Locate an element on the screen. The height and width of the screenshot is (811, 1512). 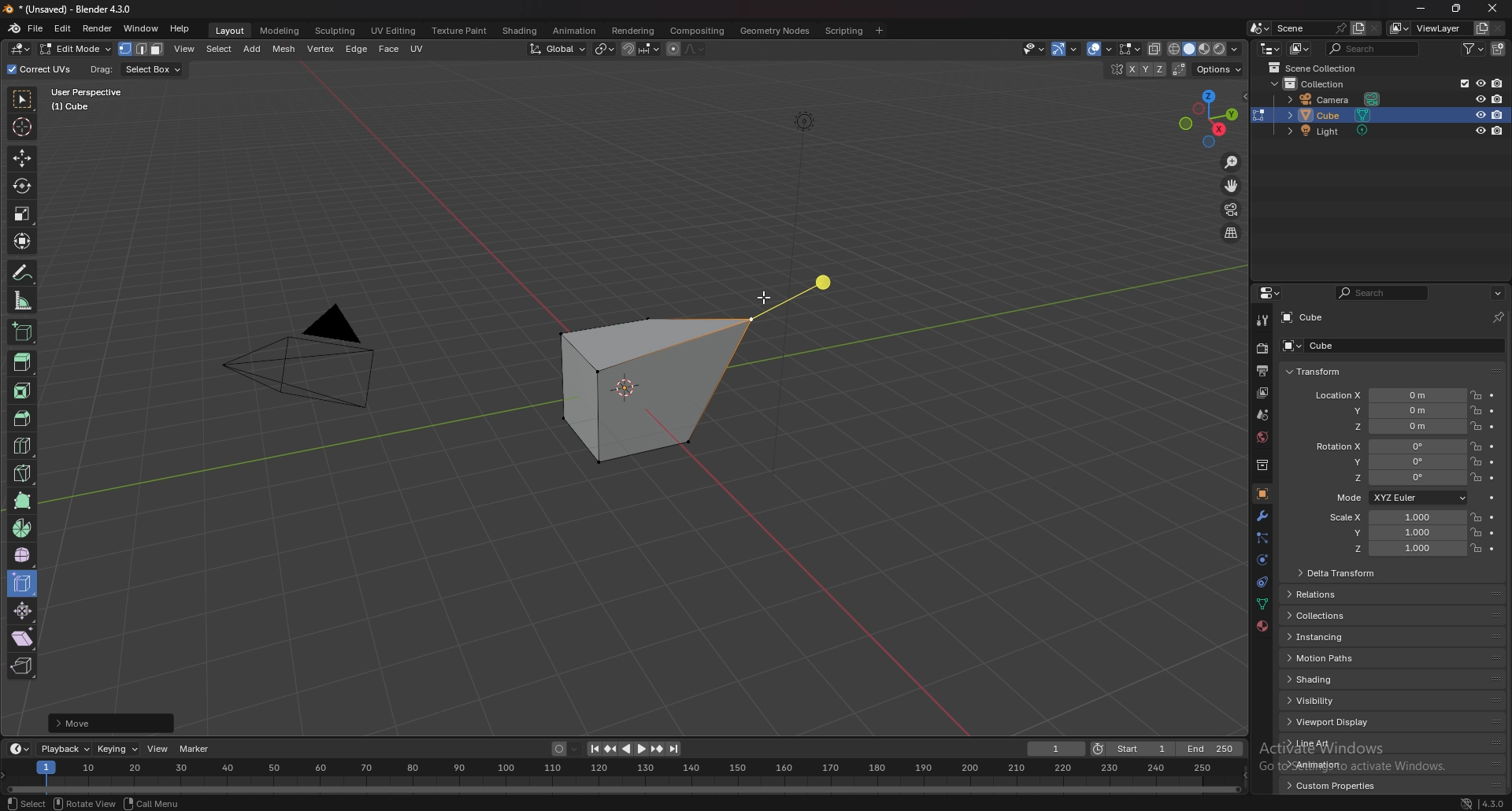
select is located at coordinates (23, 101).